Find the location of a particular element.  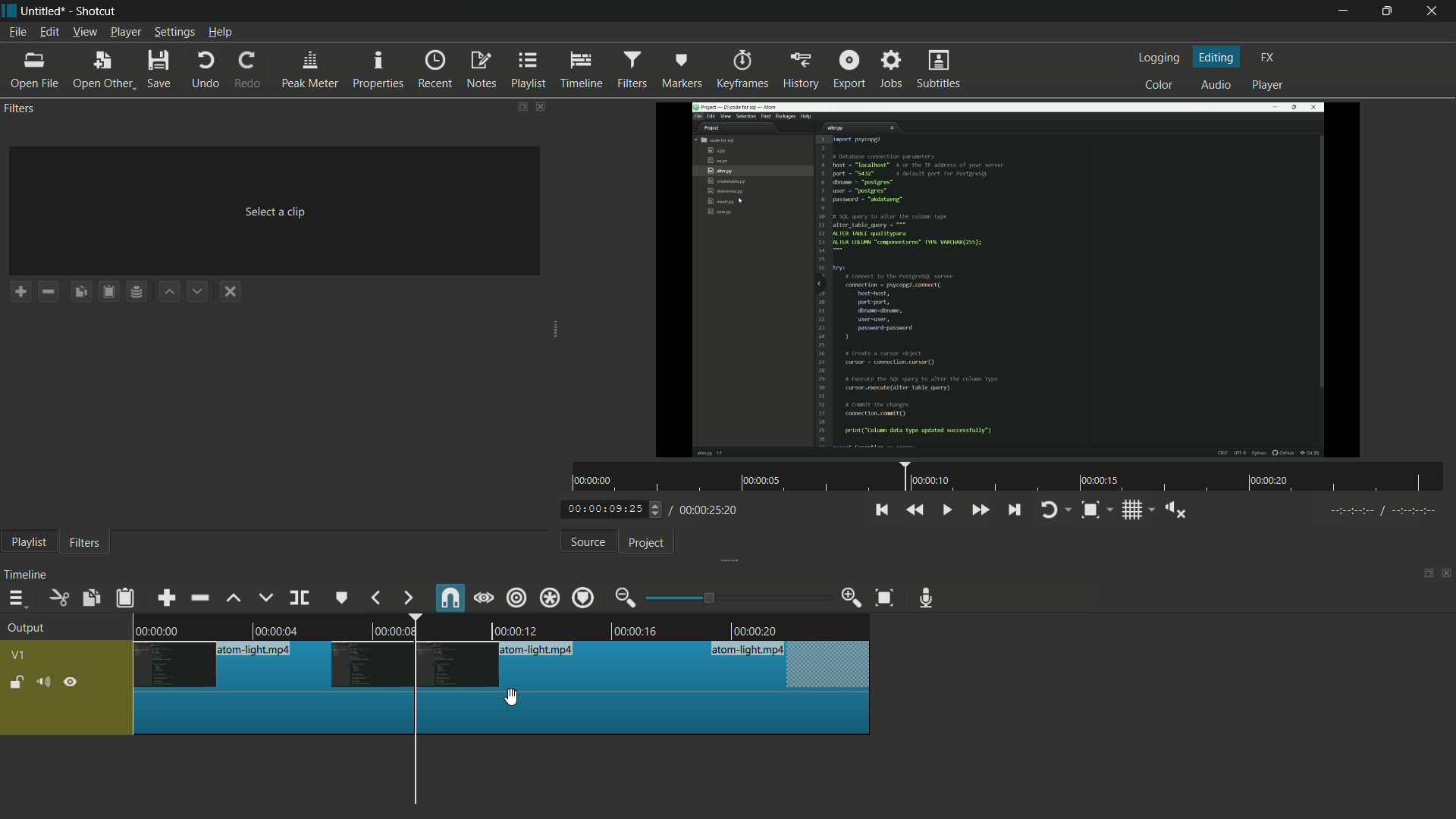

move filter down is located at coordinates (202, 290).